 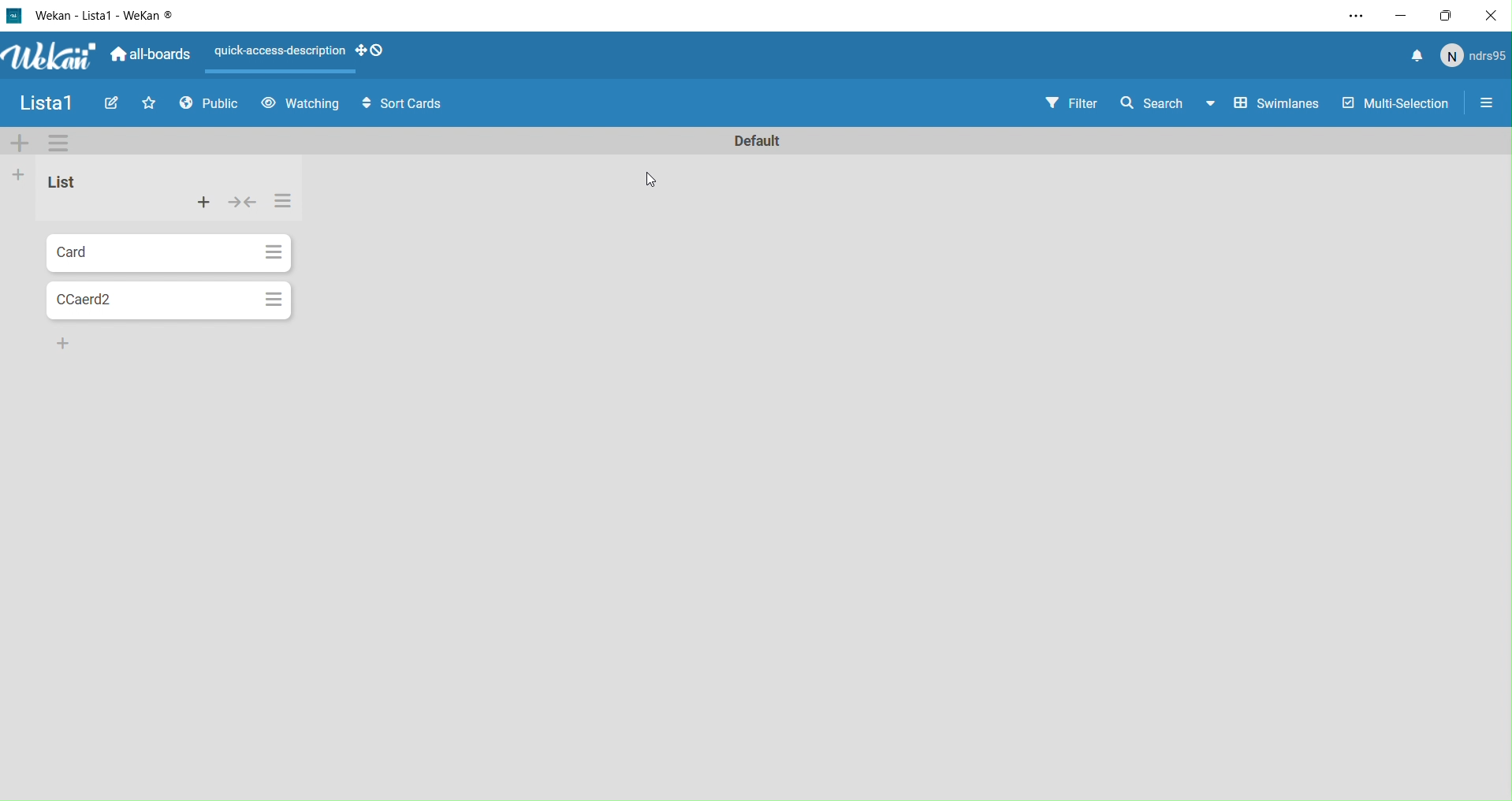 What do you see at coordinates (300, 106) in the screenshot?
I see `Watching` at bounding box center [300, 106].